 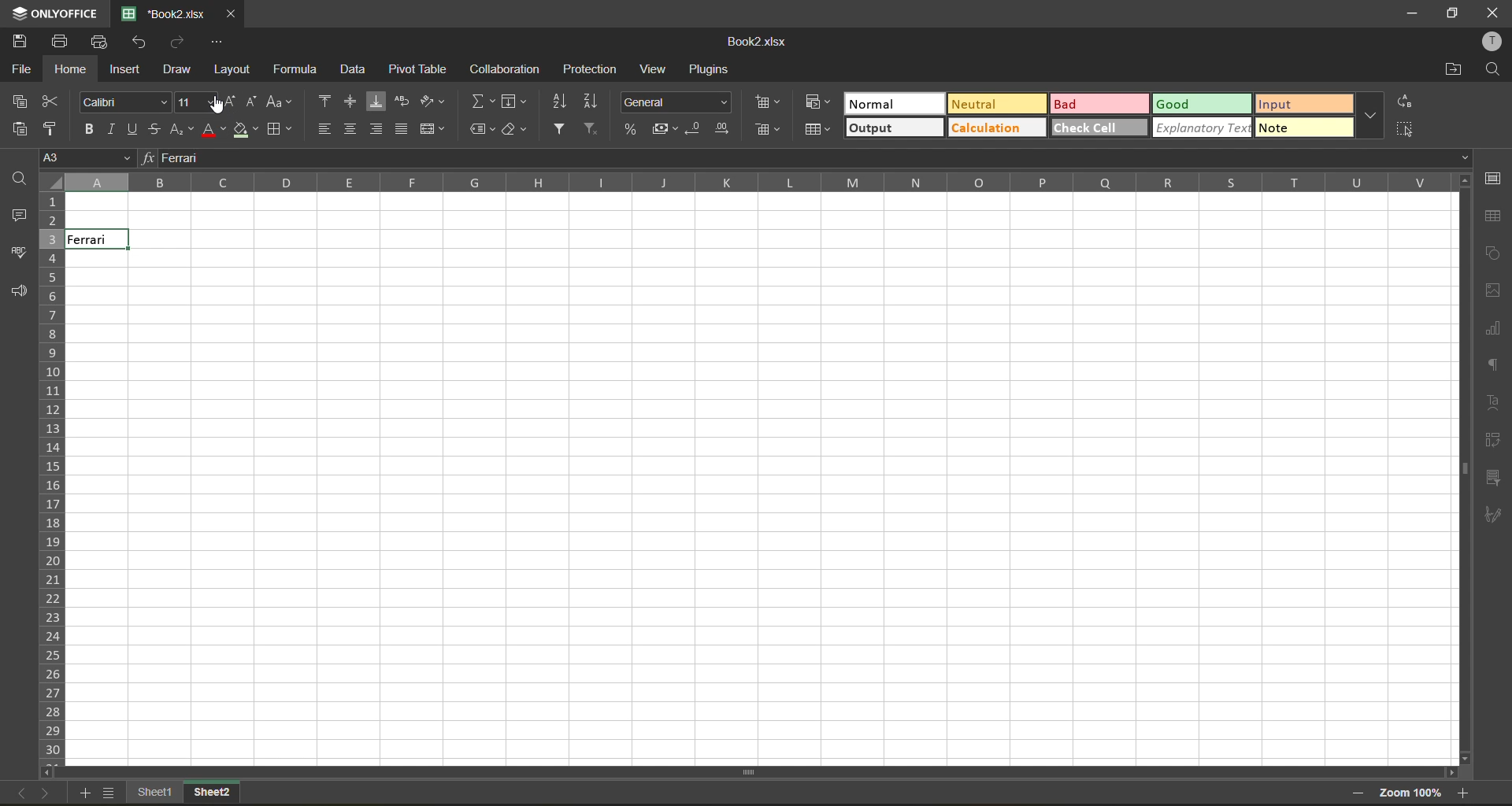 I want to click on save, so click(x=23, y=40).